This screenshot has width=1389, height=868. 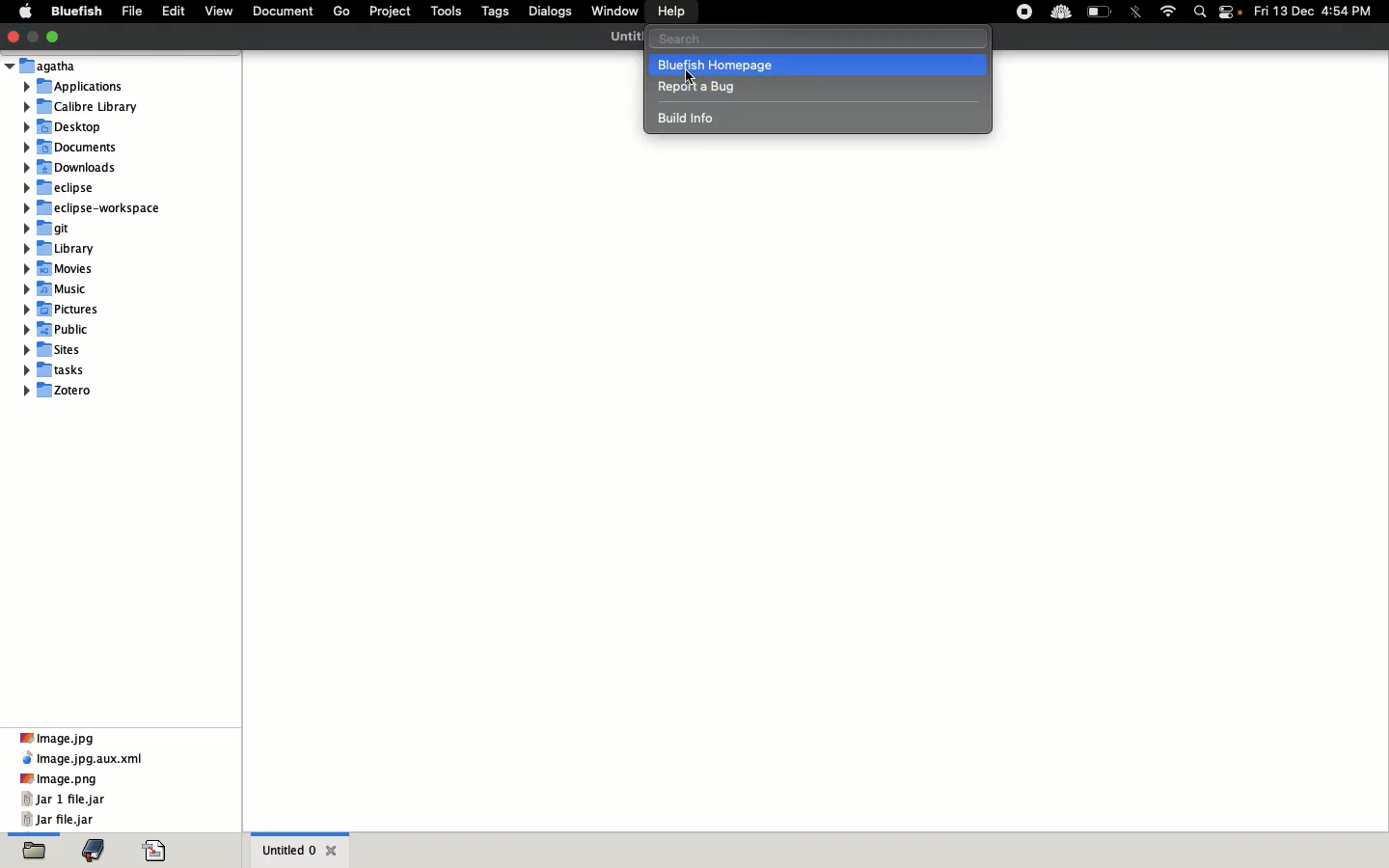 What do you see at coordinates (1201, 11) in the screenshot?
I see `Search` at bounding box center [1201, 11].